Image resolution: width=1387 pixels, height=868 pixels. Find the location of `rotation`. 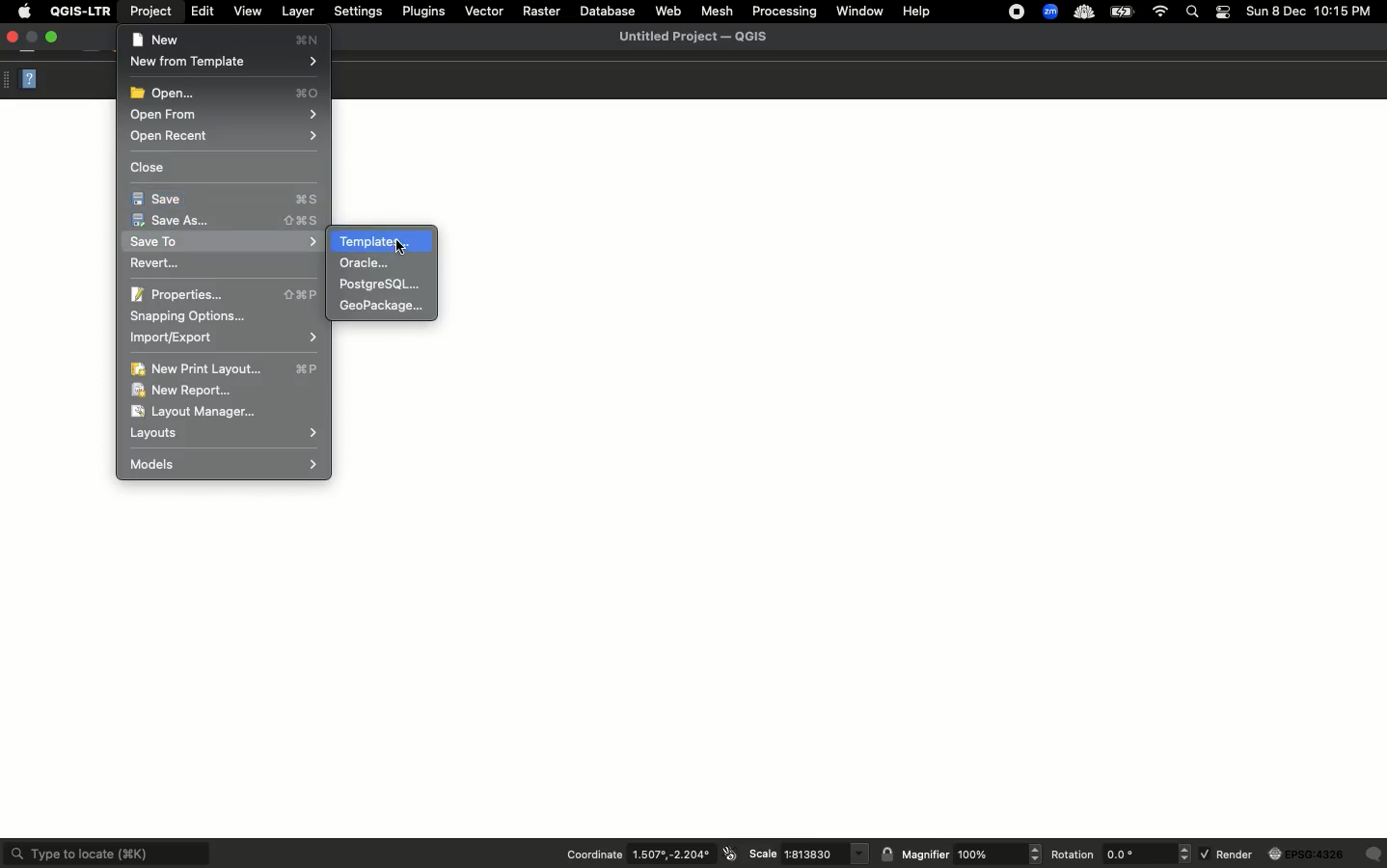

rotation is located at coordinates (1149, 854).